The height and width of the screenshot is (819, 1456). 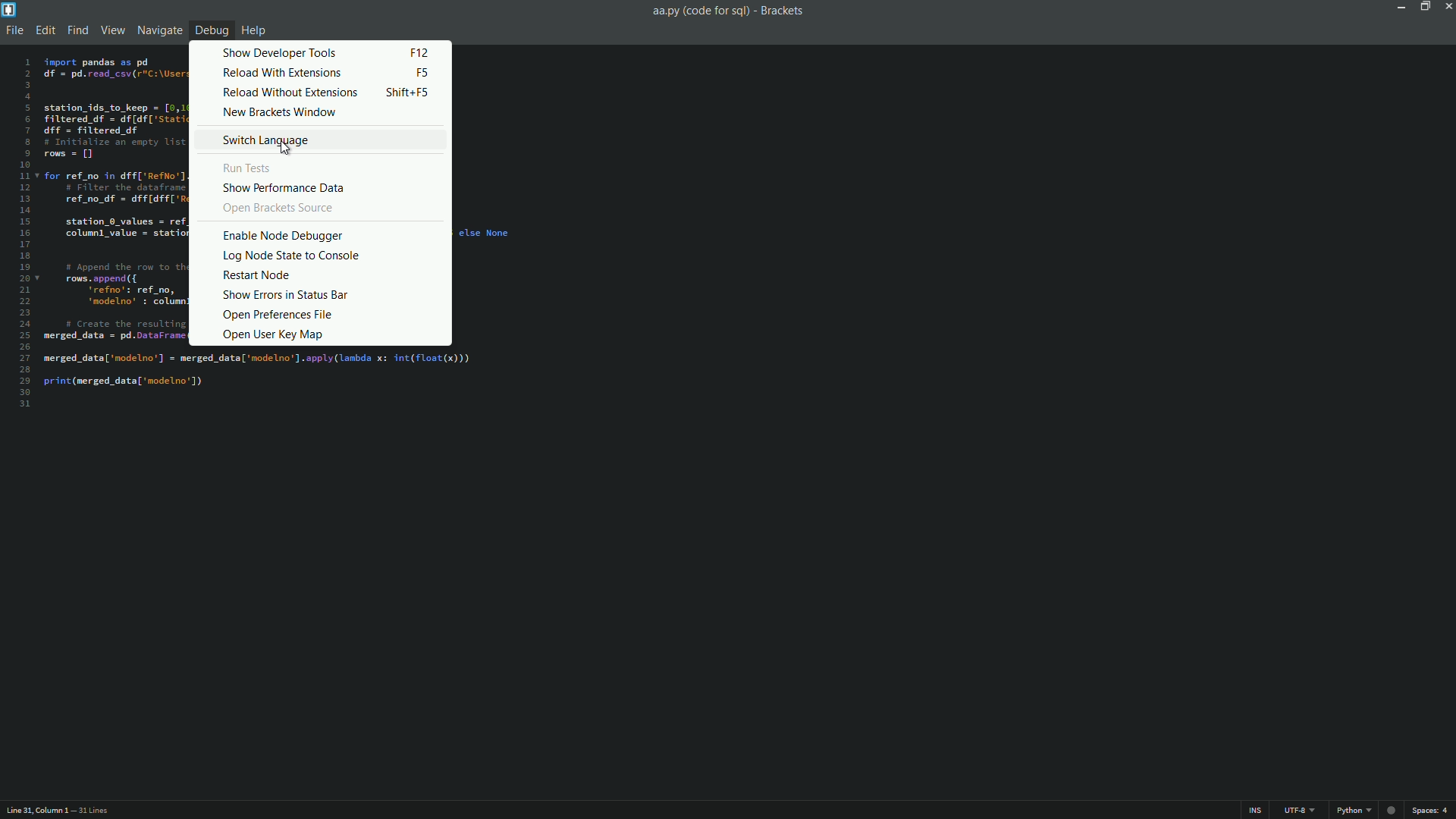 I want to click on line numbers, so click(x=24, y=233).